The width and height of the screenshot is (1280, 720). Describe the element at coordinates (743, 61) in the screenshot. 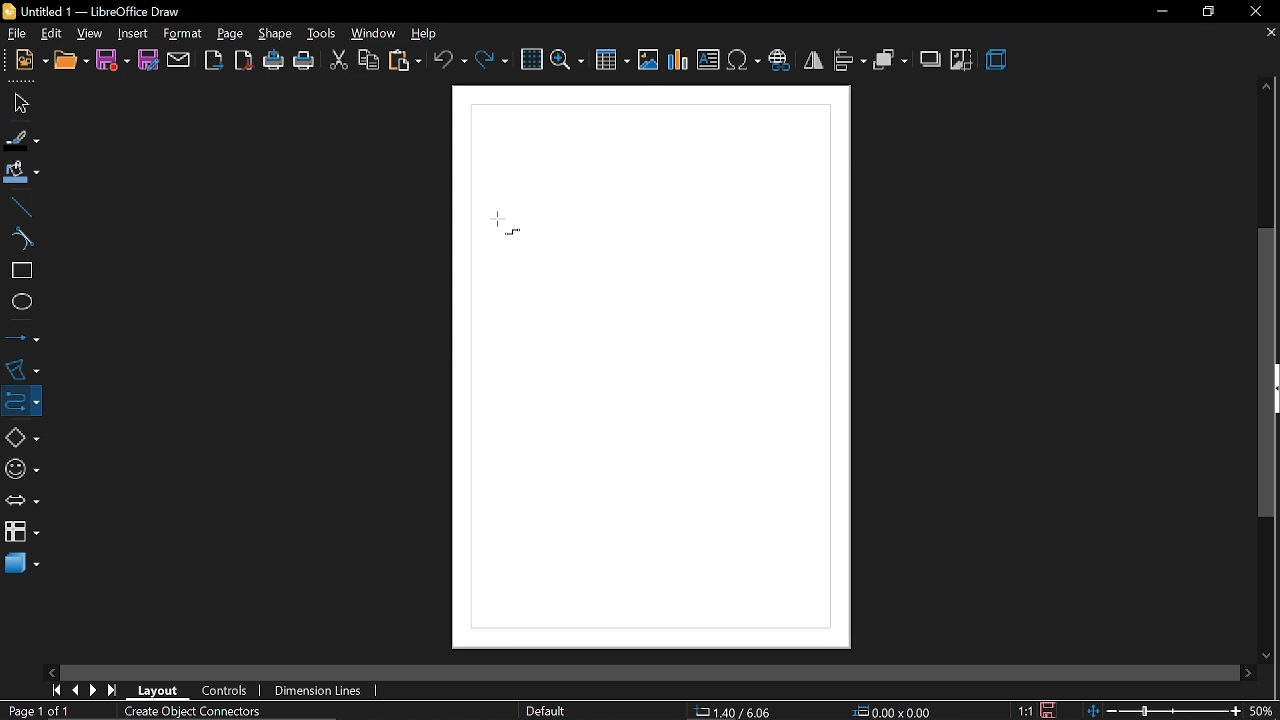

I see `Insert symbol` at that location.